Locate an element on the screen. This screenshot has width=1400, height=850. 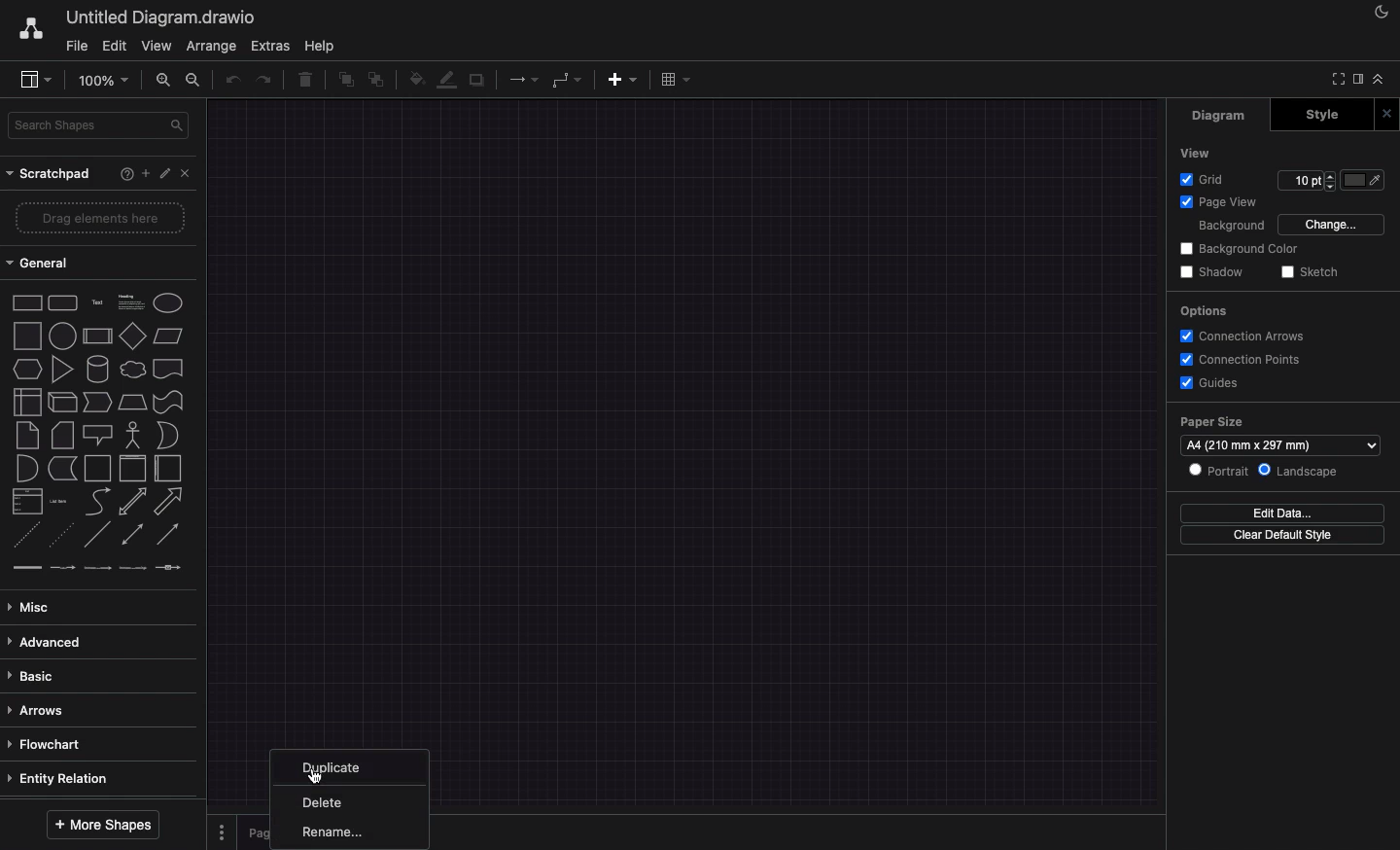
document is located at coordinates (169, 368).